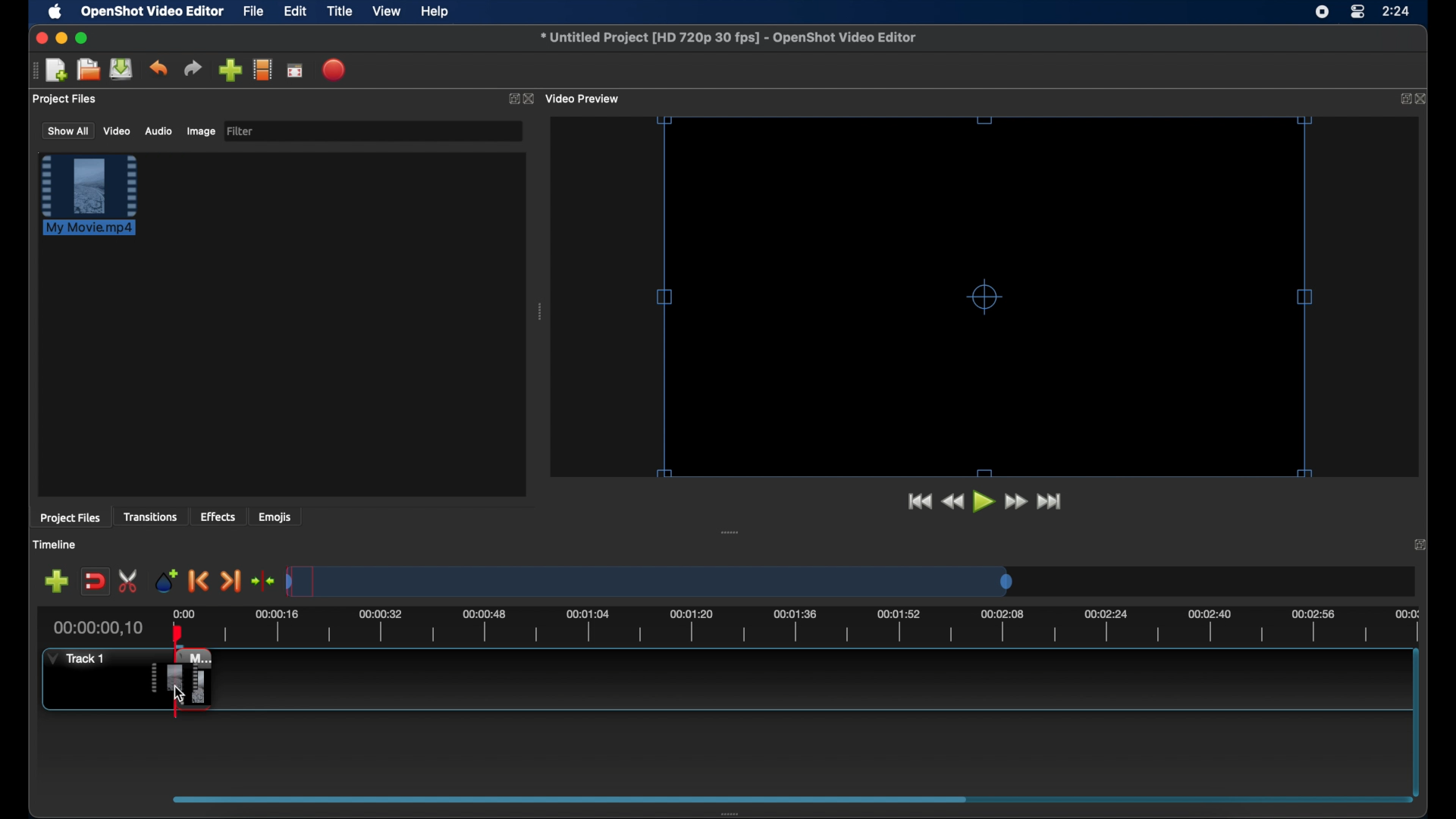 Image resolution: width=1456 pixels, height=819 pixels. What do you see at coordinates (65, 99) in the screenshot?
I see `project files` at bounding box center [65, 99].